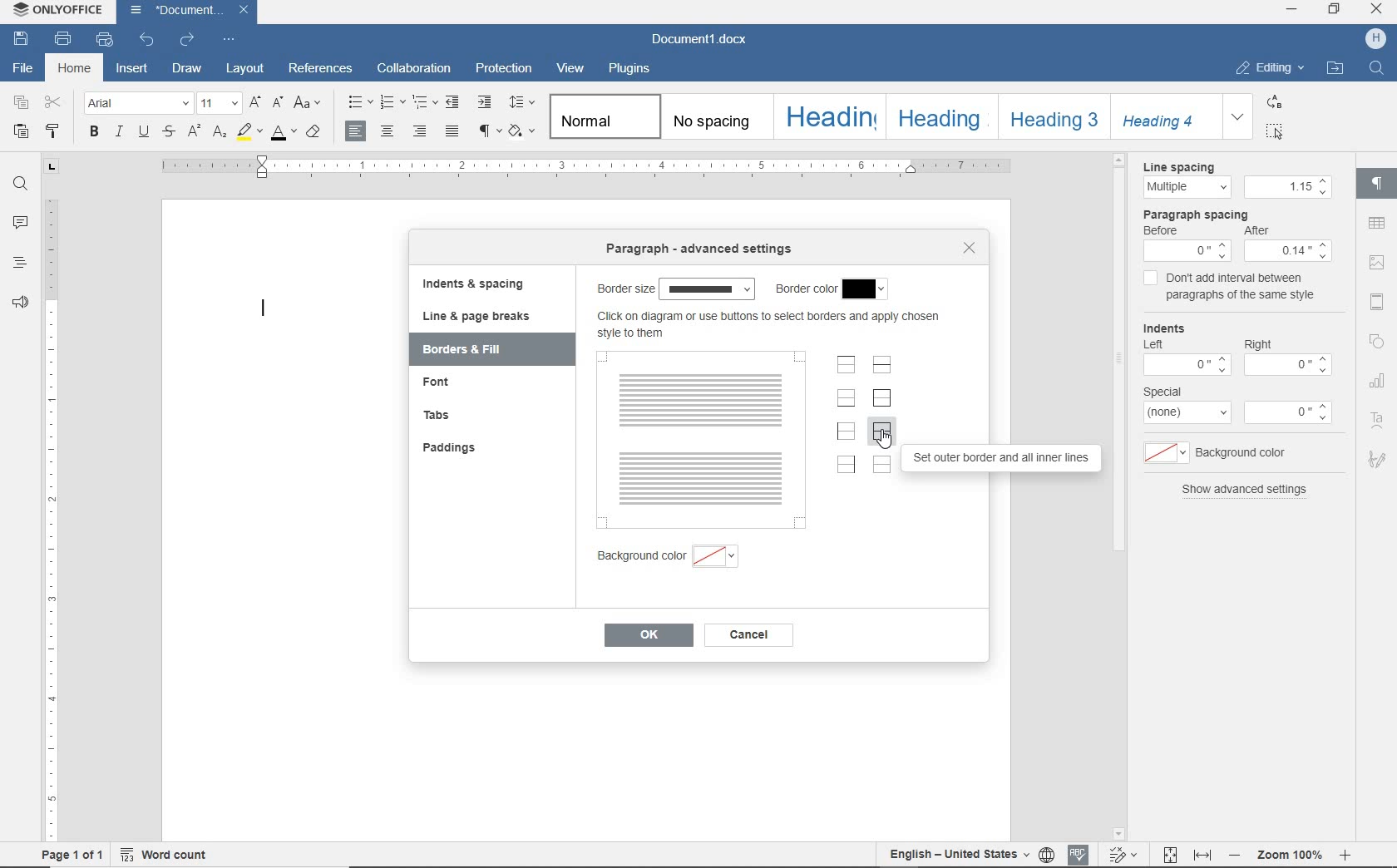 The width and height of the screenshot is (1397, 868). I want to click on protection, so click(504, 70).